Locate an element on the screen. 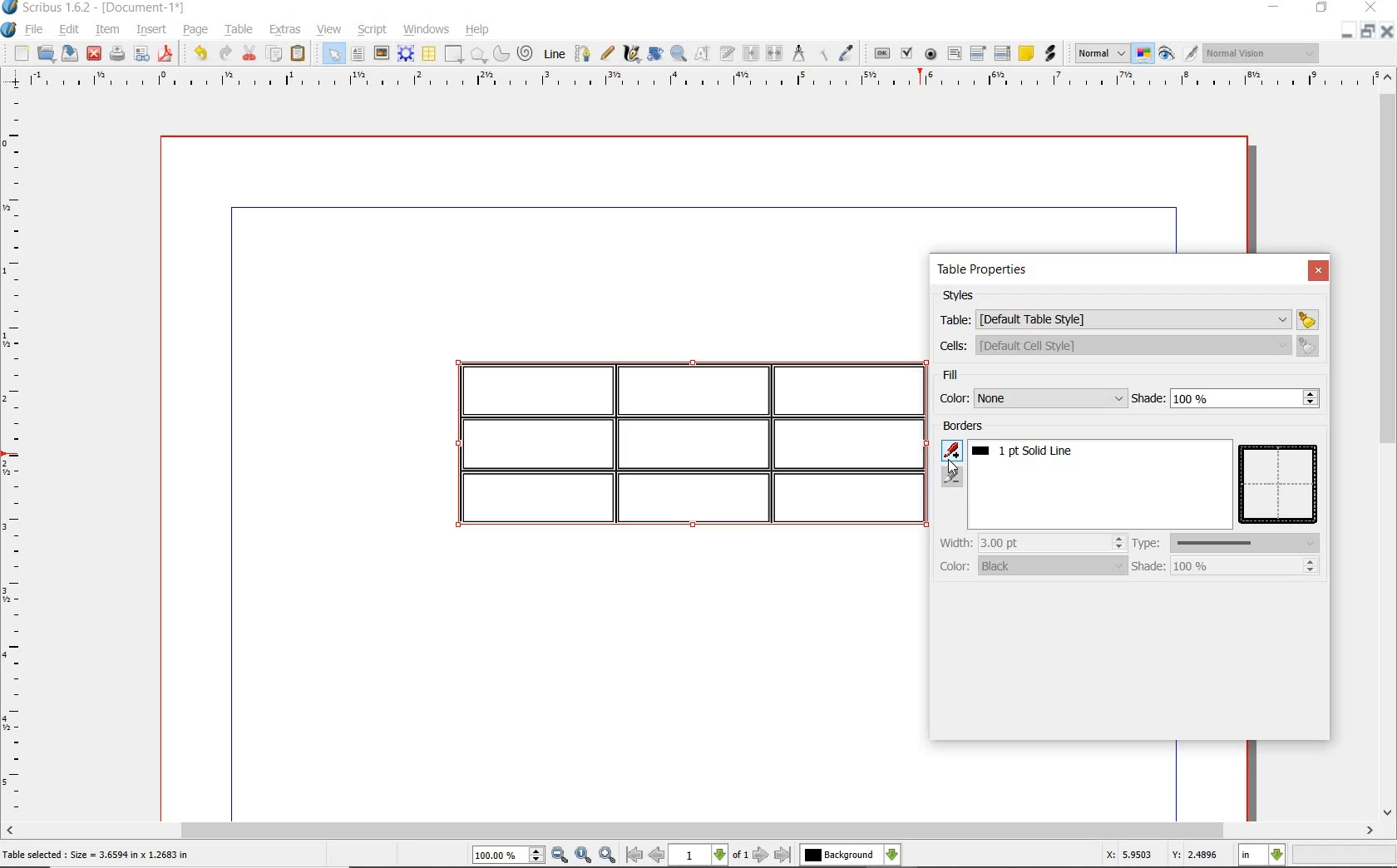 Image resolution: width=1397 pixels, height=868 pixels. color is located at coordinates (1030, 398).